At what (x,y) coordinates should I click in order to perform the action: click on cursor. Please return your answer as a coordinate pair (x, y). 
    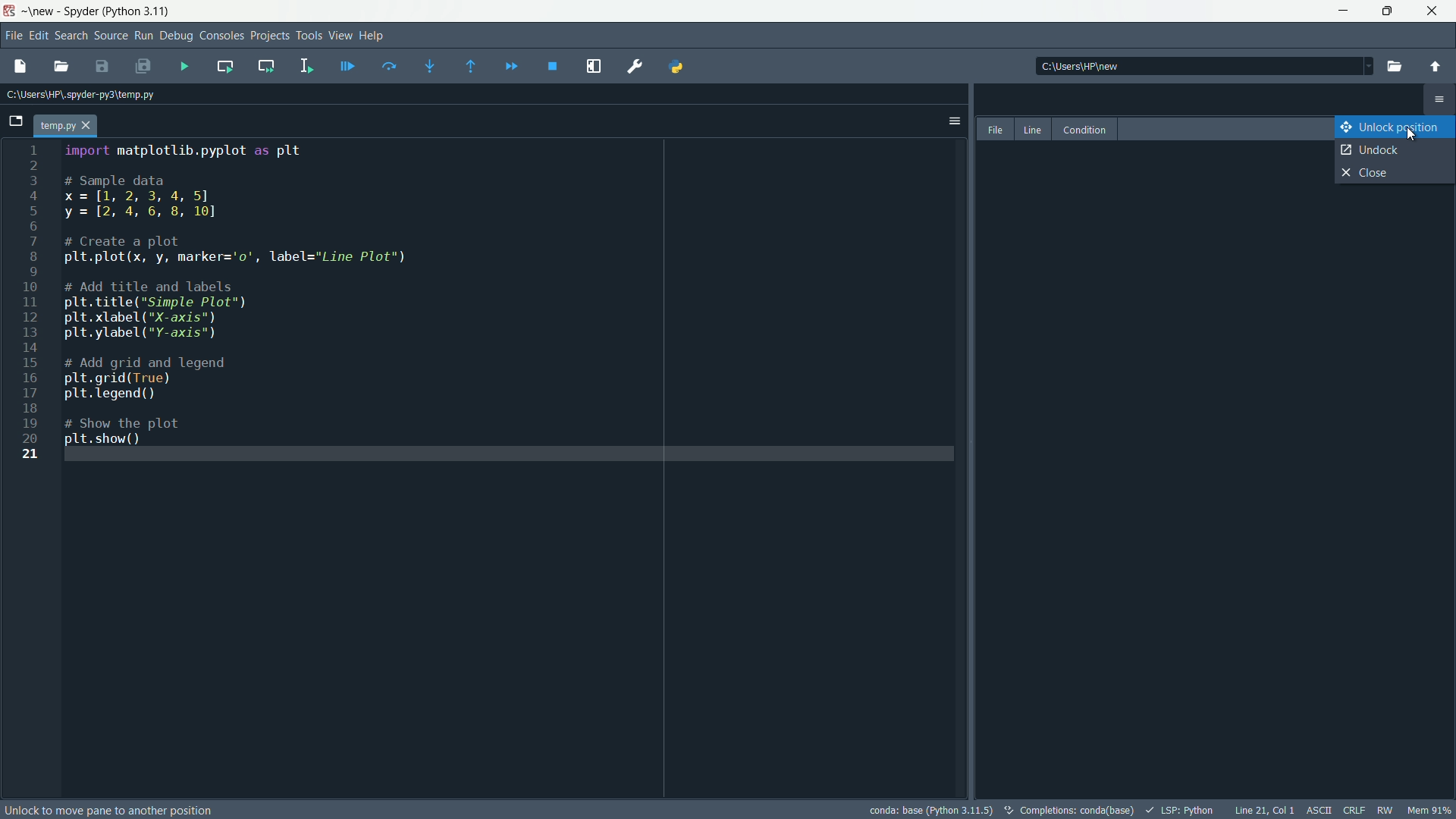
    Looking at the image, I should click on (1410, 135).